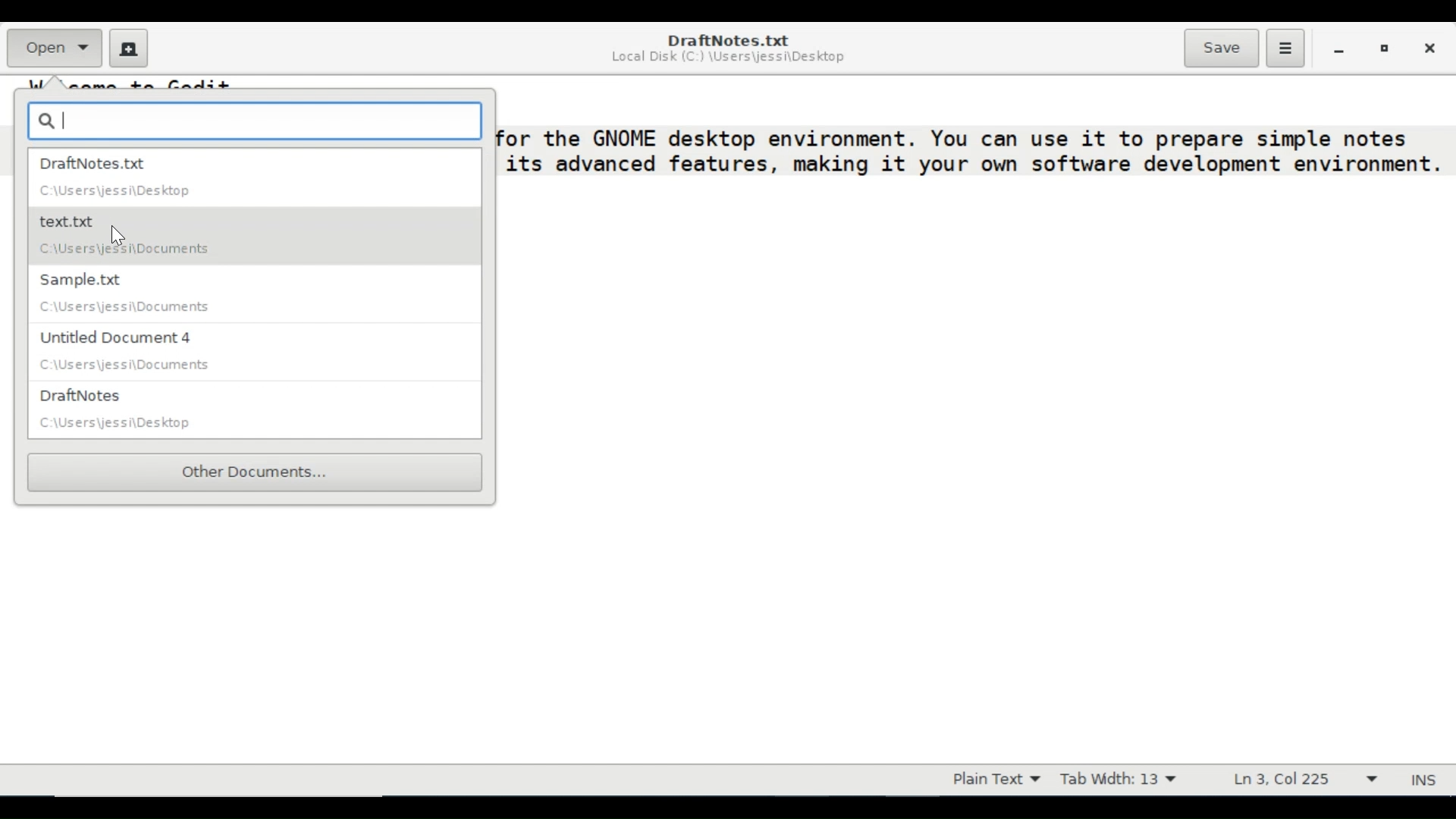 Image resolution: width=1456 pixels, height=819 pixels. What do you see at coordinates (1338, 48) in the screenshot?
I see `minimize` at bounding box center [1338, 48].